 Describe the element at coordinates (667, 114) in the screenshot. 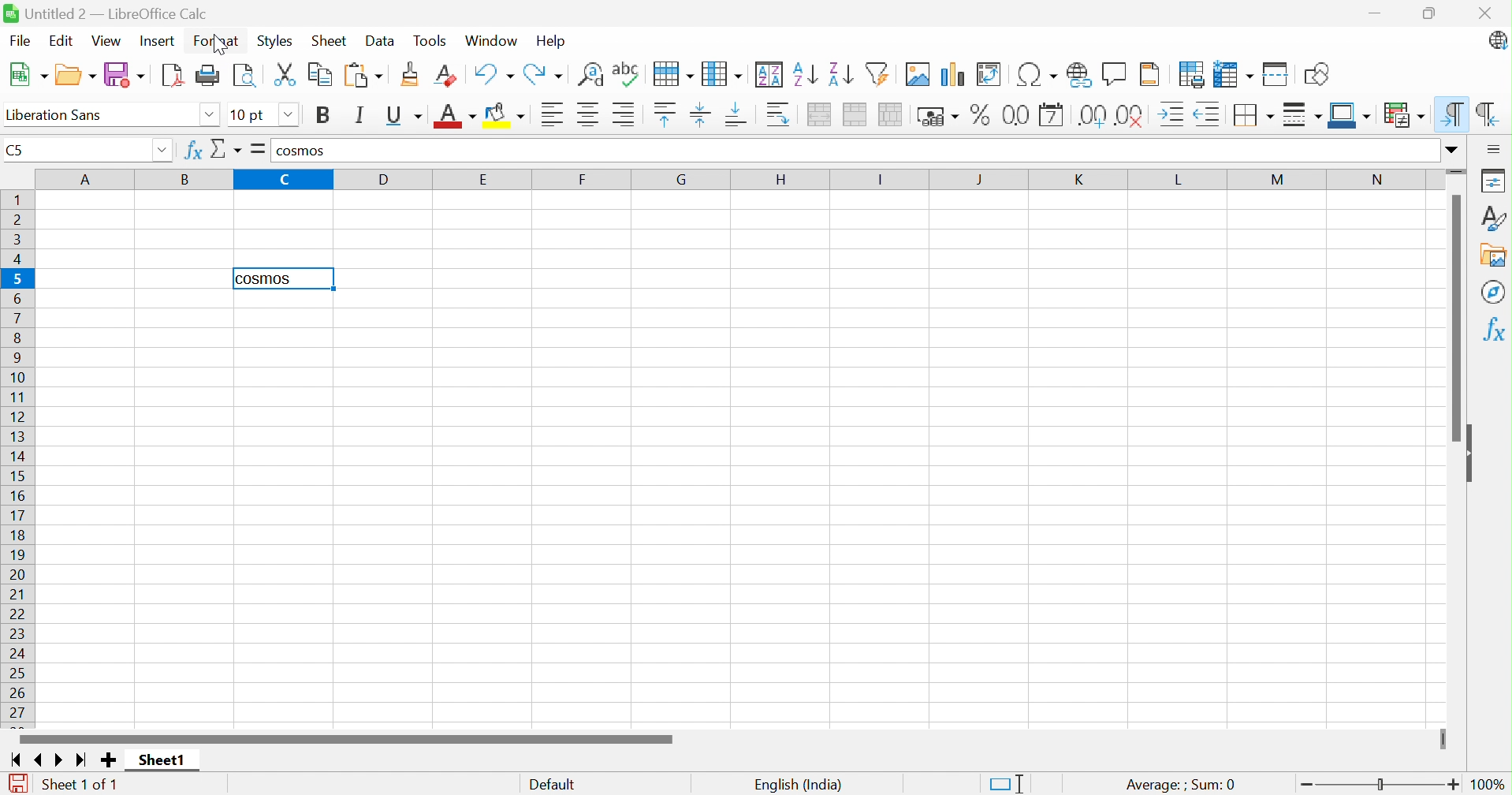

I see `Align top` at that location.